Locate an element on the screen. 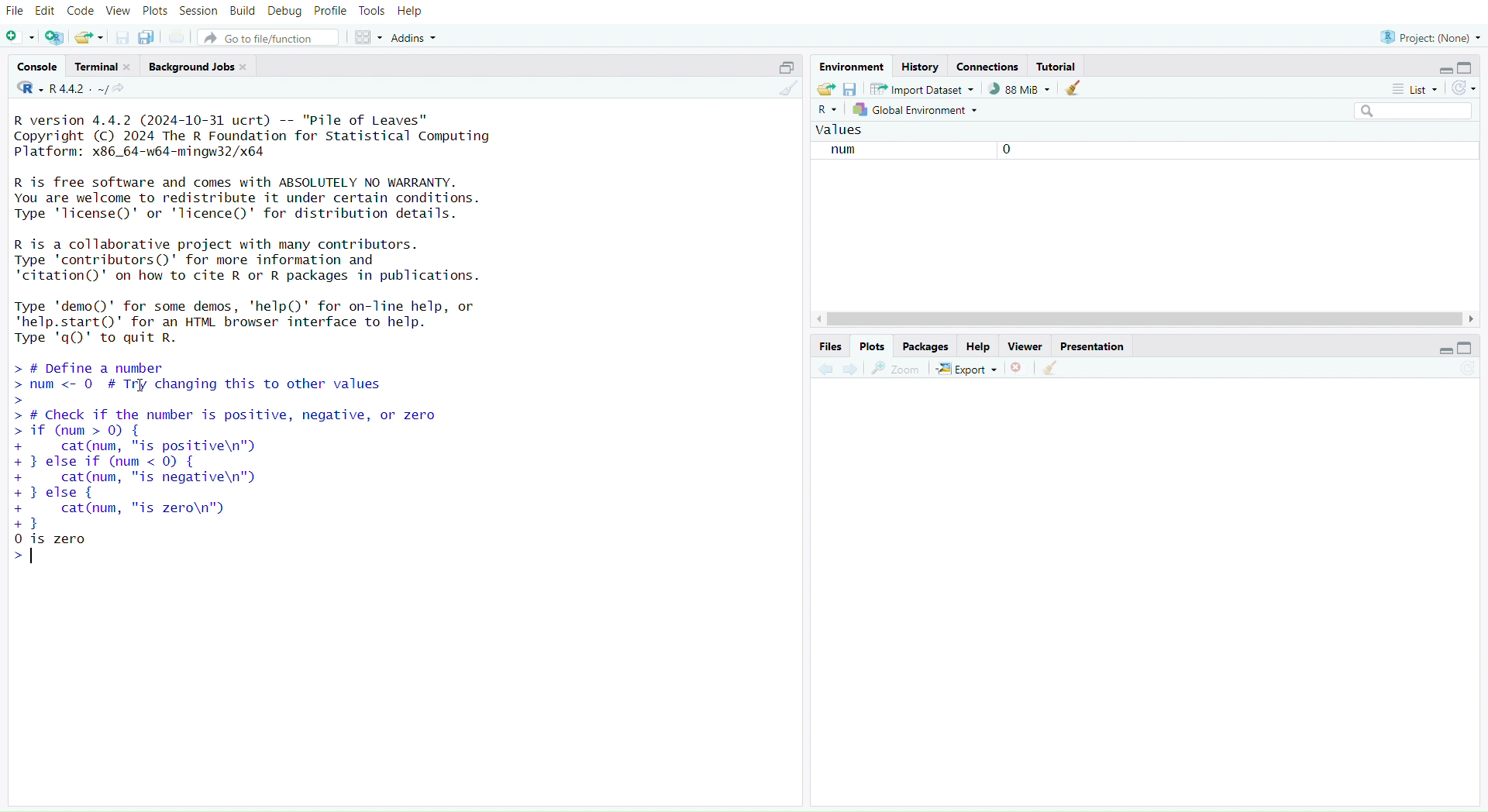  text cursor is located at coordinates (34, 556).